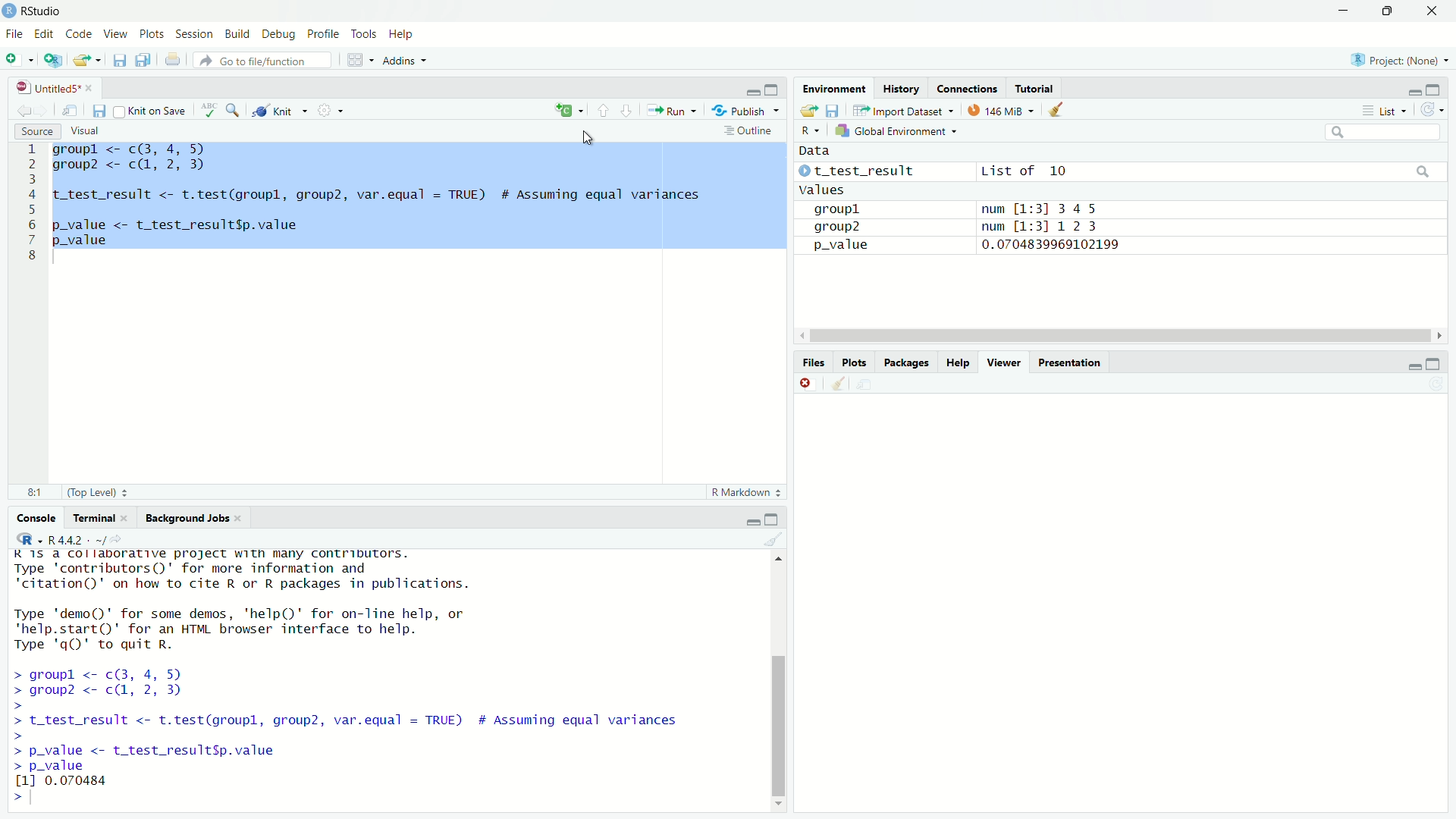 The width and height of the screenshot is (1456, 819). I want to click on Console, so click(36, 518).